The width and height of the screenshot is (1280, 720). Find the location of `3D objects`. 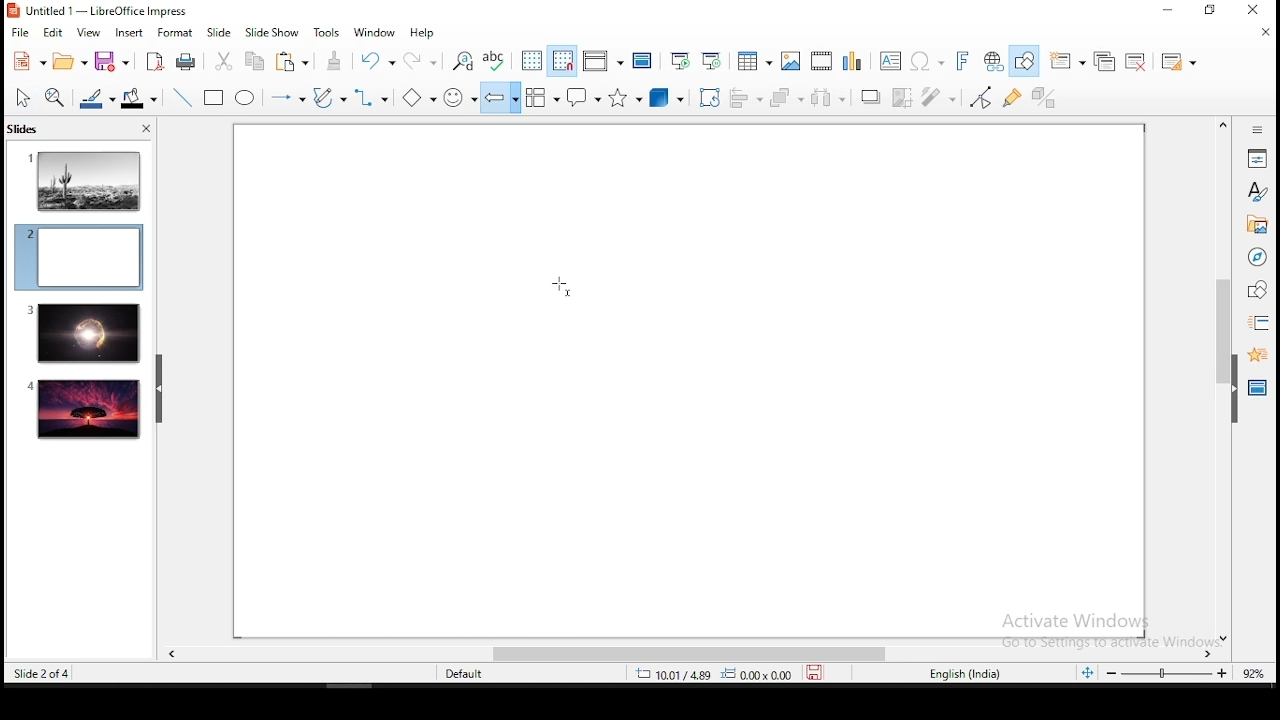

3D objects is located at coordinates (668, 98).